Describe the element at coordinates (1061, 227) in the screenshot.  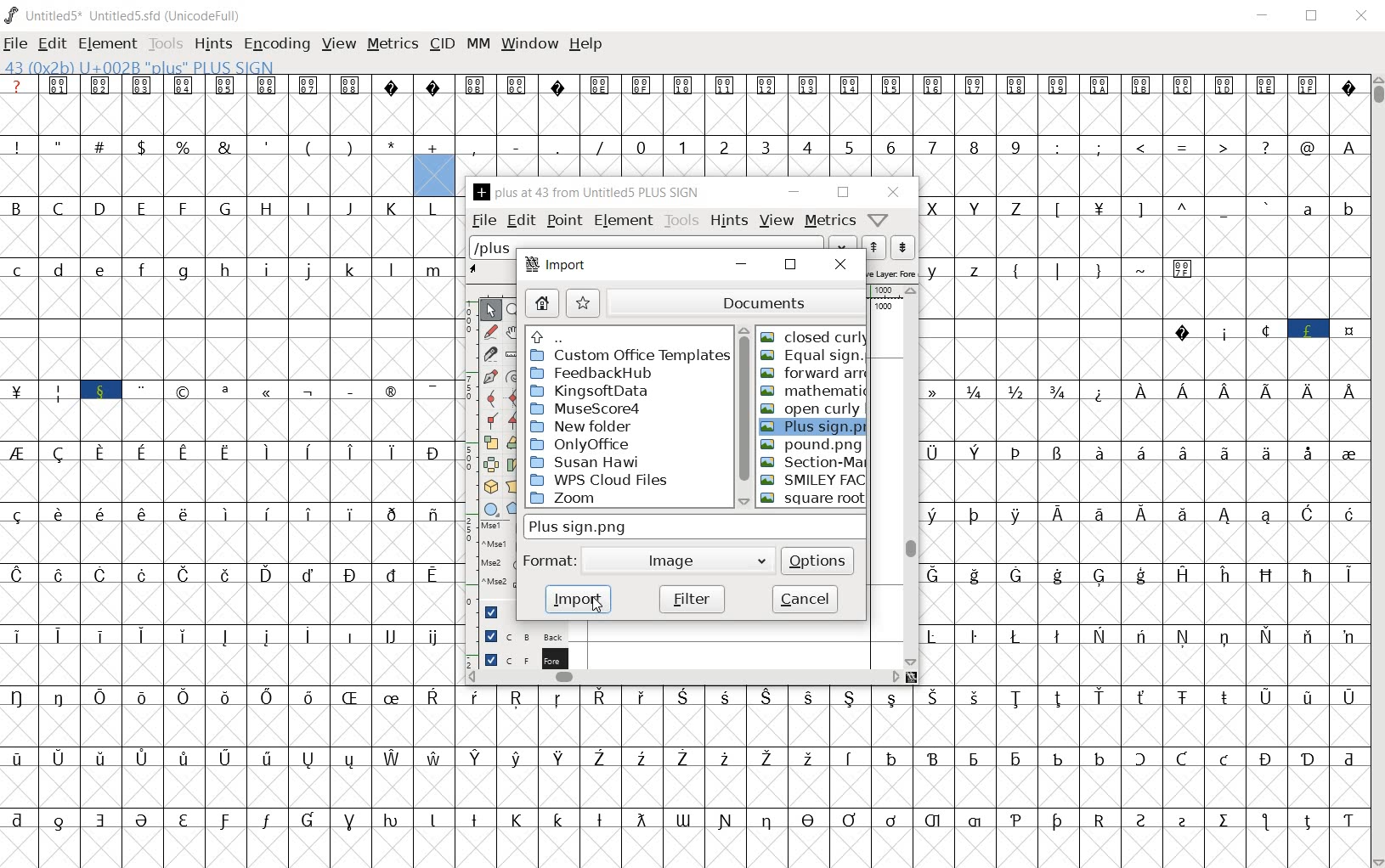
I see `L` at that location.